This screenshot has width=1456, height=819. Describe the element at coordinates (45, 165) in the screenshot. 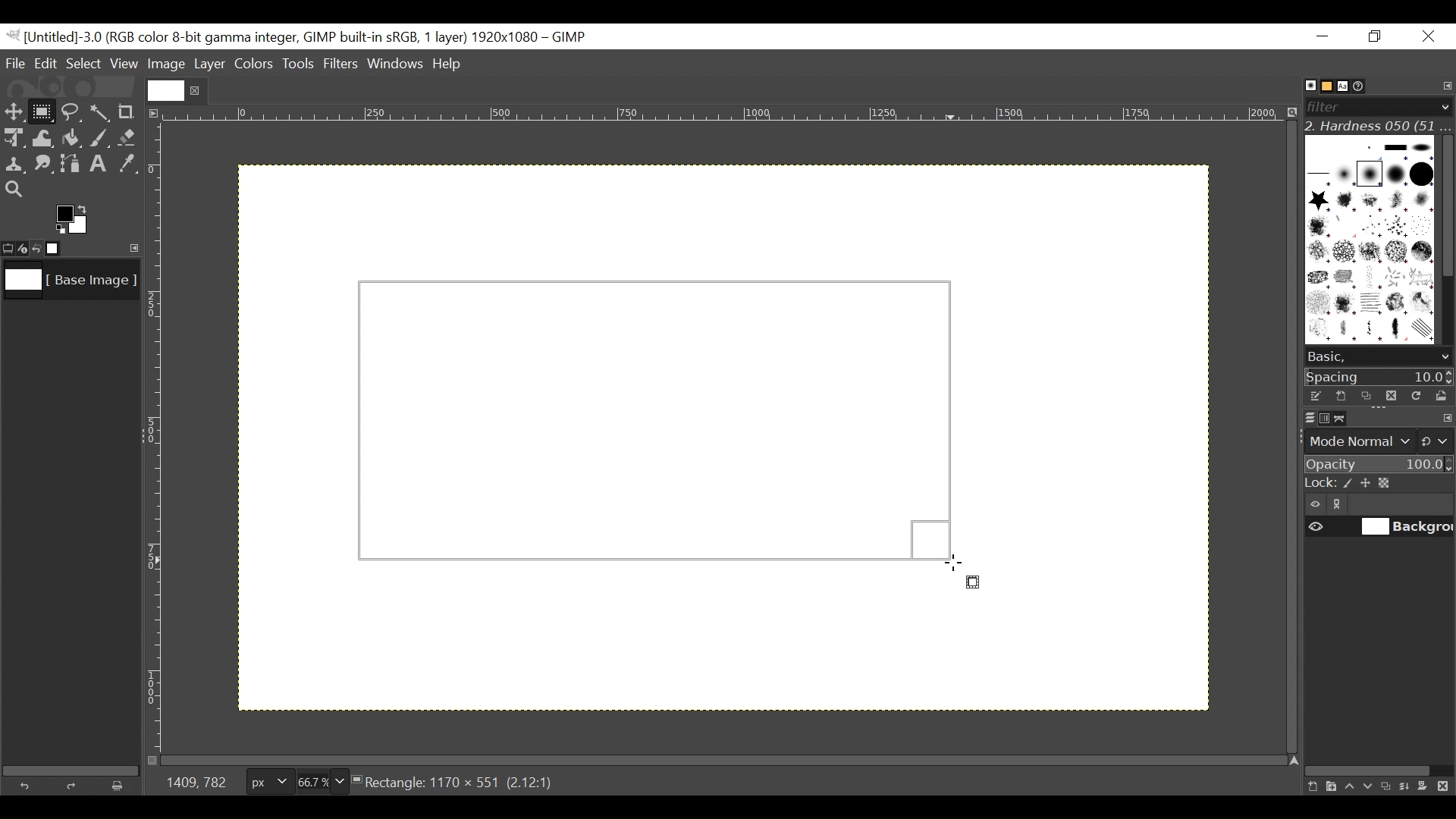

I see `Smudge tool` at that location.